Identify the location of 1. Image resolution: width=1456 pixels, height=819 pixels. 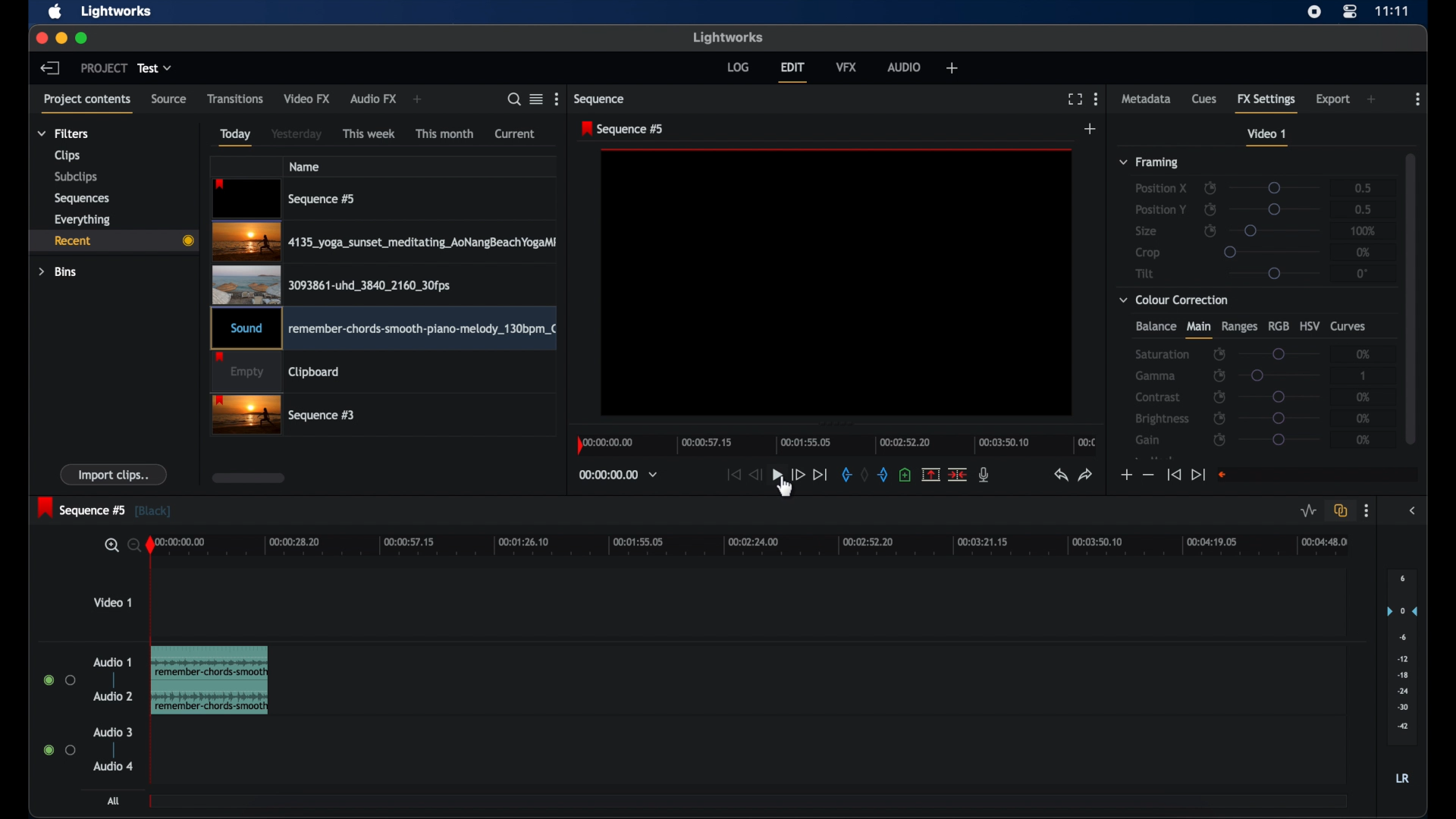
(1364, 375).